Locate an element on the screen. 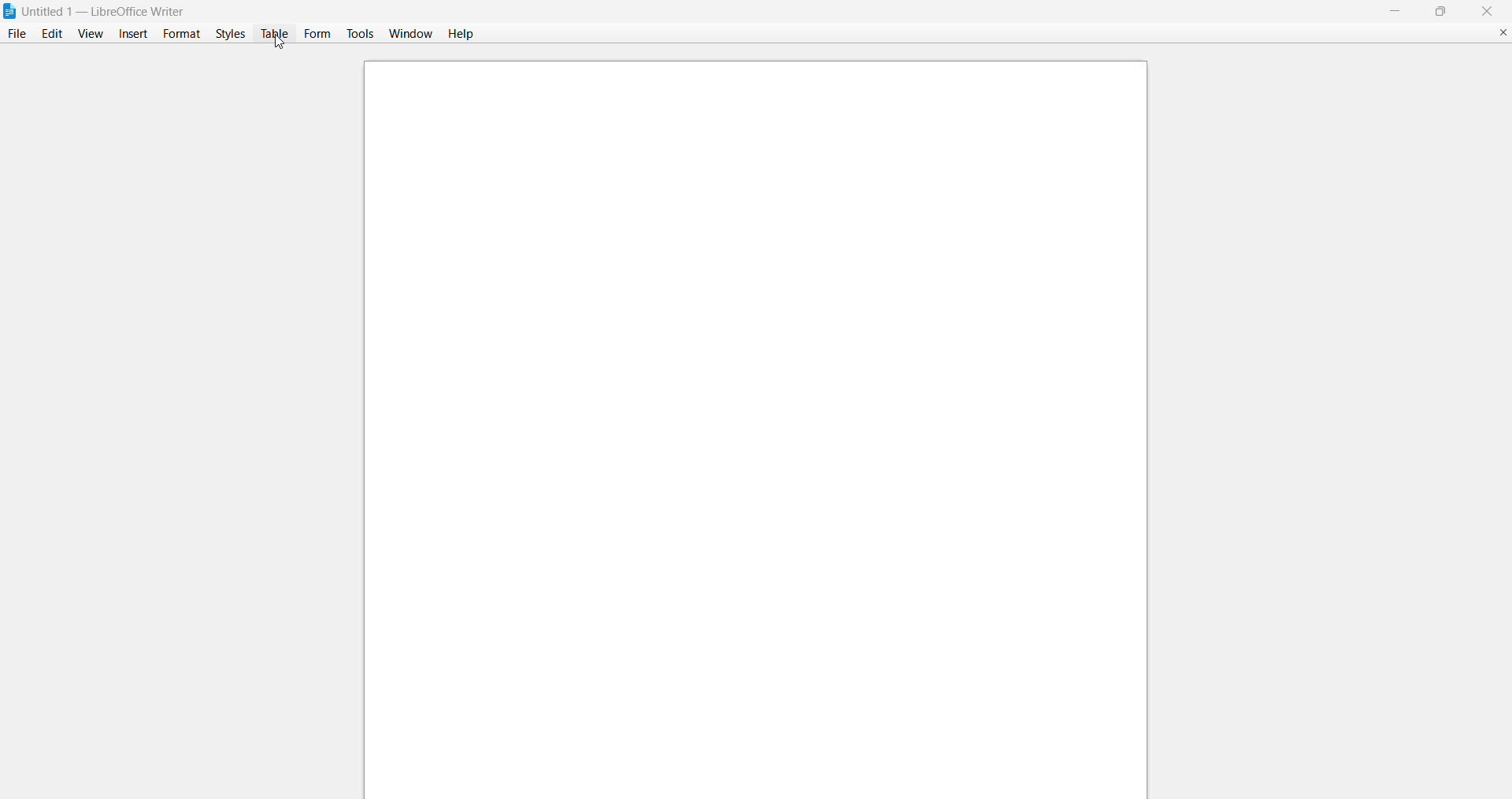  help is located at coordinates (463, 34).